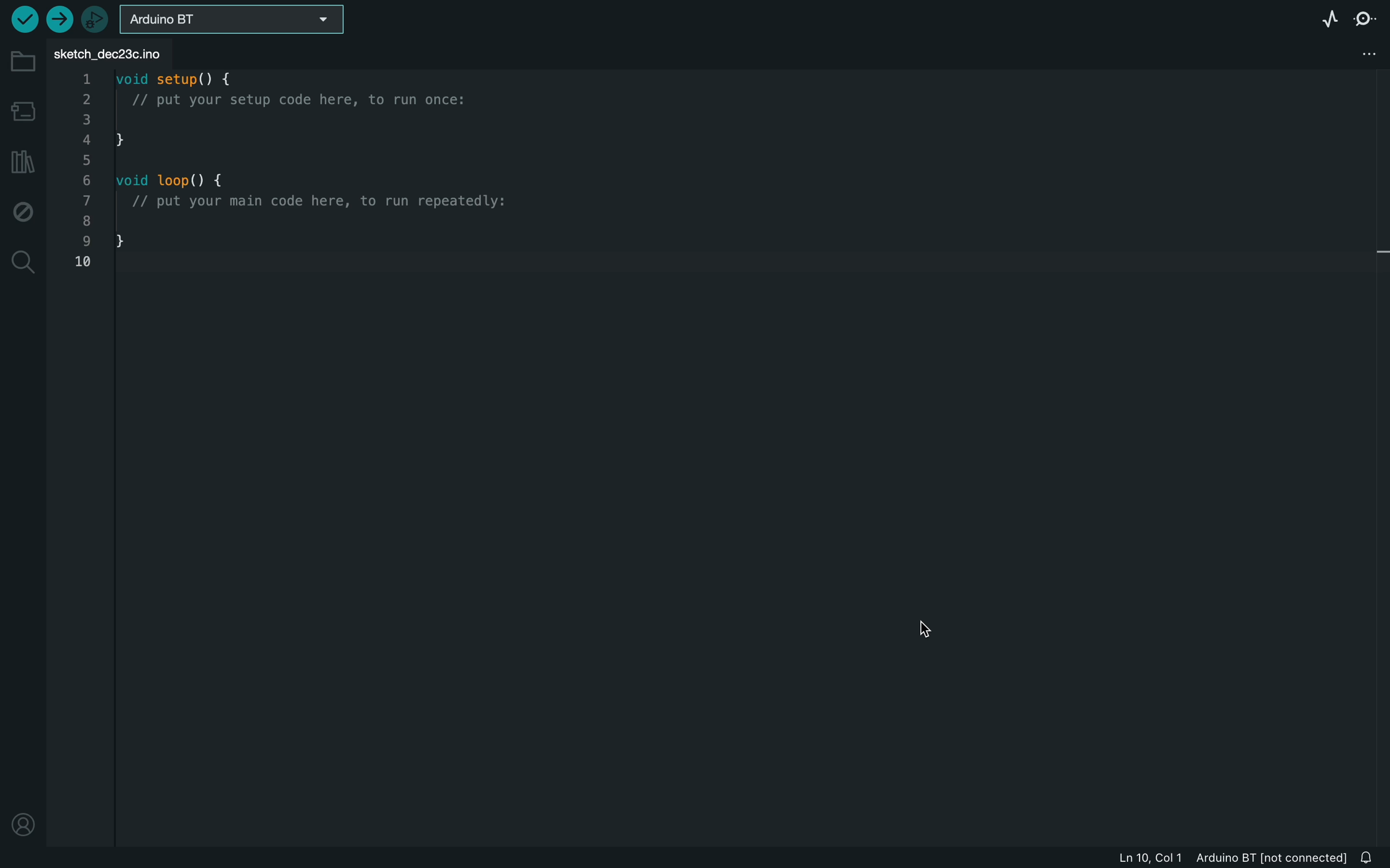 The image size is (1390, 868). Describe the element at coordinates (24, 261) in the screenshot. I see `search` at that location.